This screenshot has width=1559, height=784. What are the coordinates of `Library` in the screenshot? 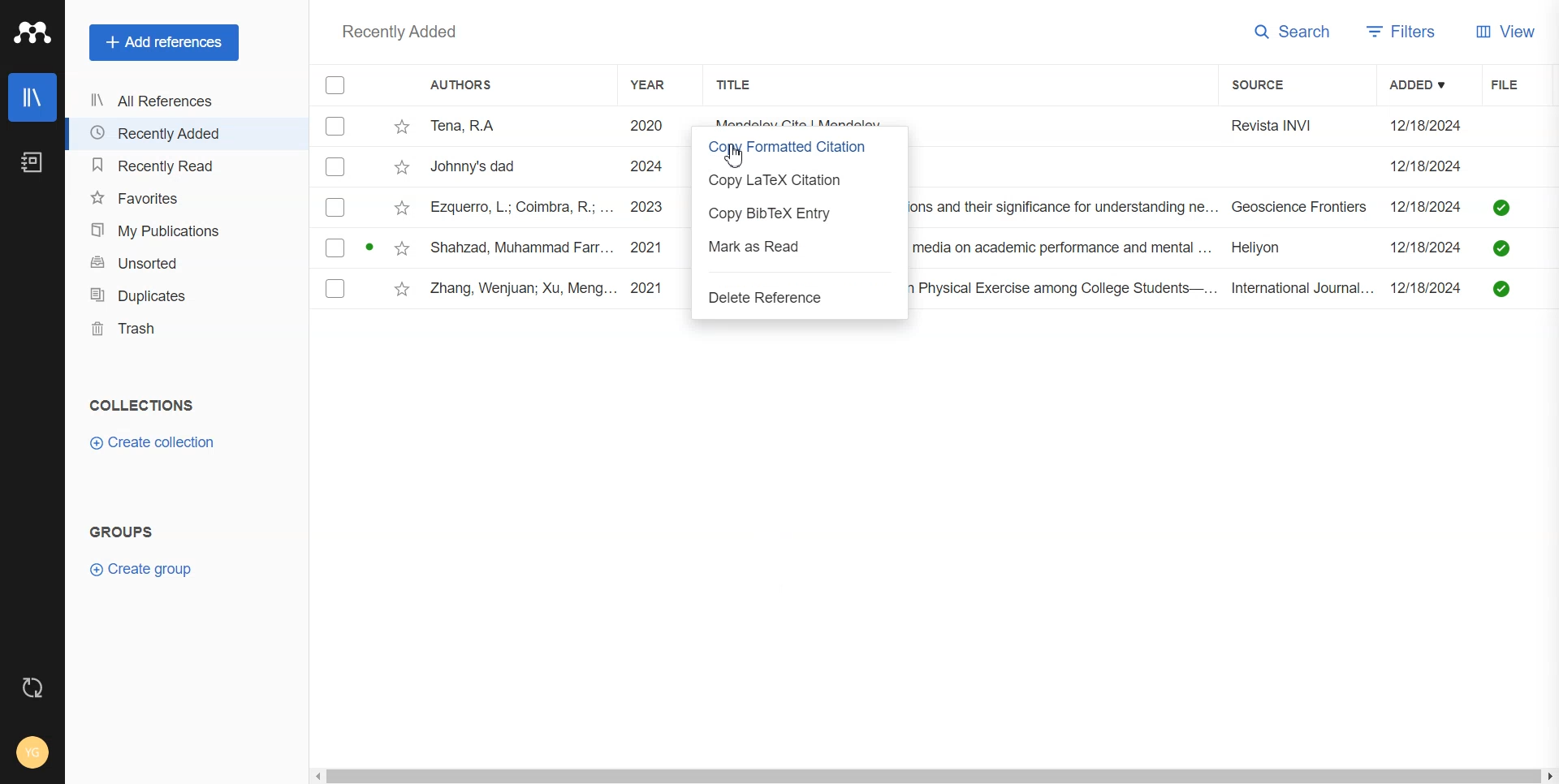 It's located at (33, 97).